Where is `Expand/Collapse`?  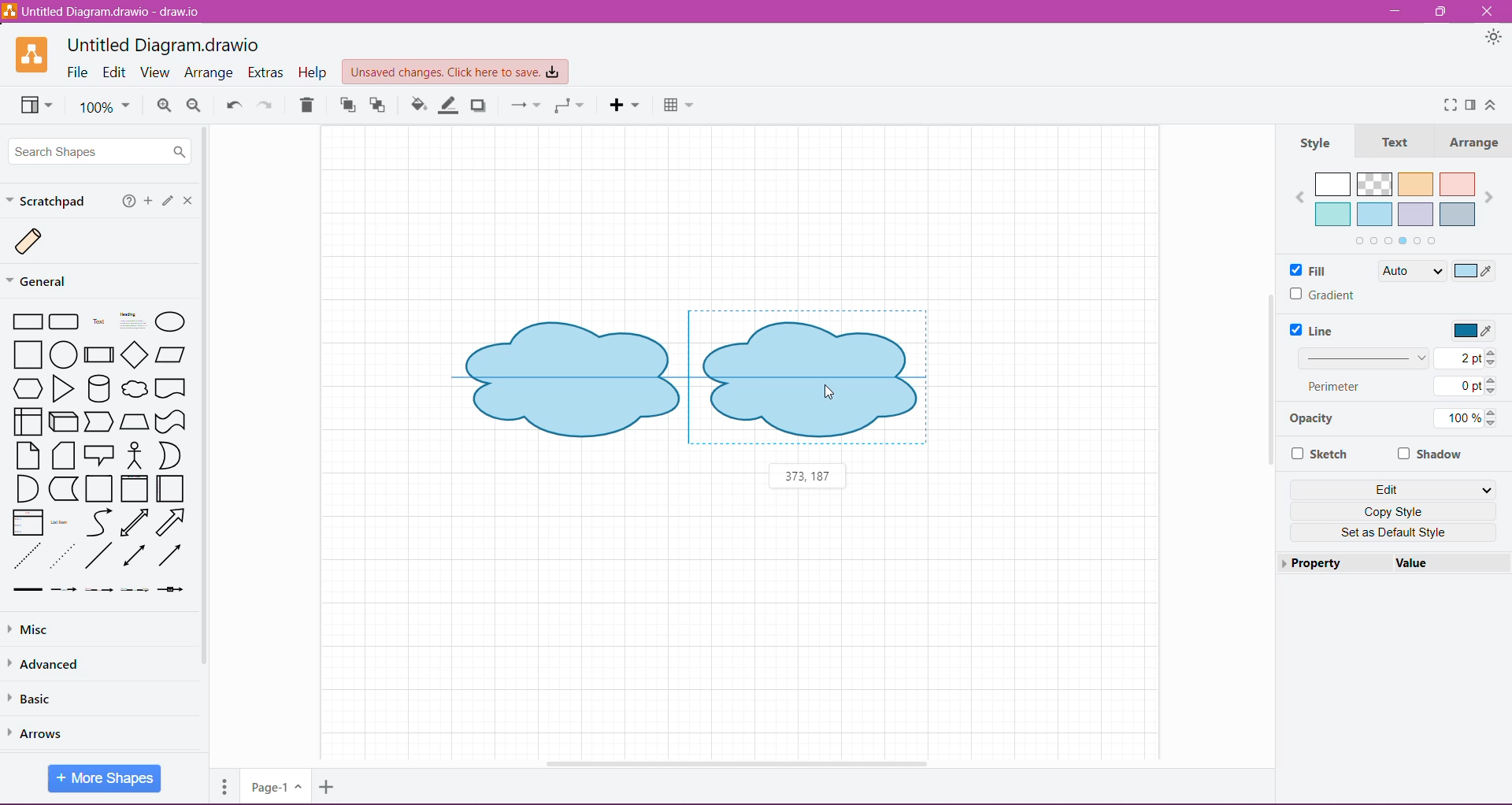
Expand/Collapse is located at coordinates (1492, 107).